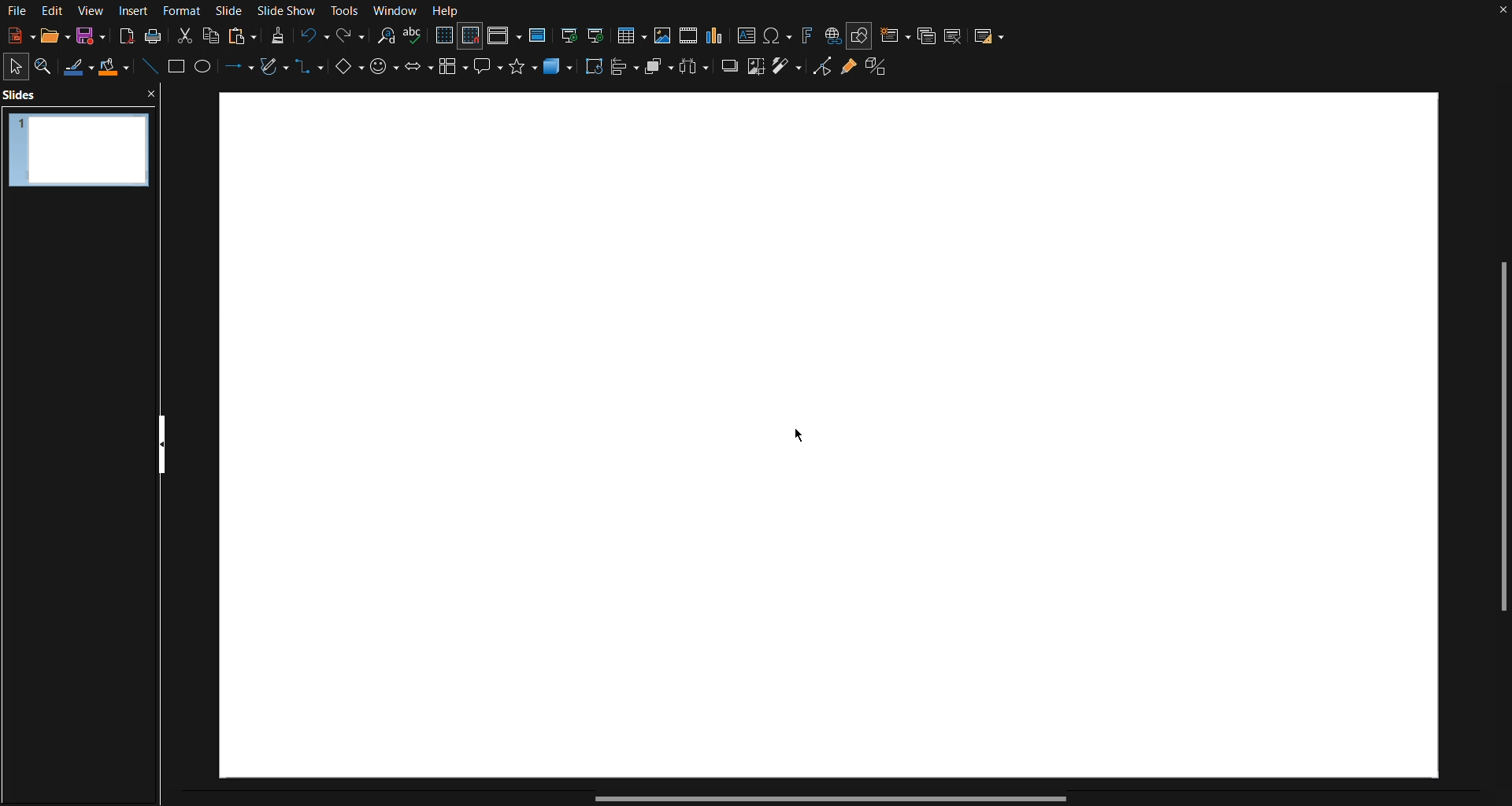 This screenshot has height=806, width=1512. Describe the element at coordinates (860, 34) in the screenshot. I see `Show Draw Functions` at that location.